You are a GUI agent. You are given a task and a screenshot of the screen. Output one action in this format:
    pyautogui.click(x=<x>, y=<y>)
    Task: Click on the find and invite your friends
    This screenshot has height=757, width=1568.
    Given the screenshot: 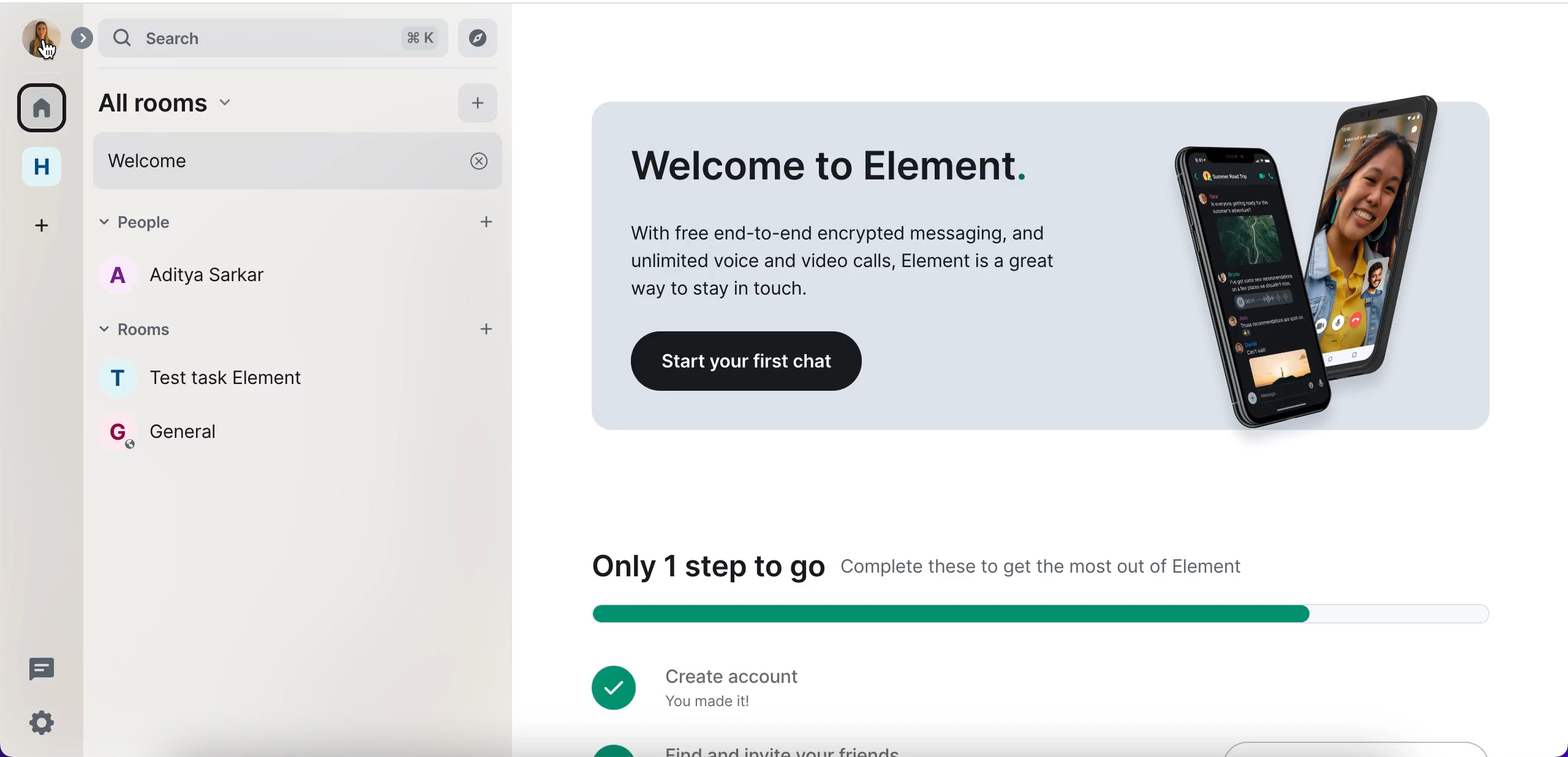 What is the action you would take?
    pyautogui.click(x=761, y=747)
    